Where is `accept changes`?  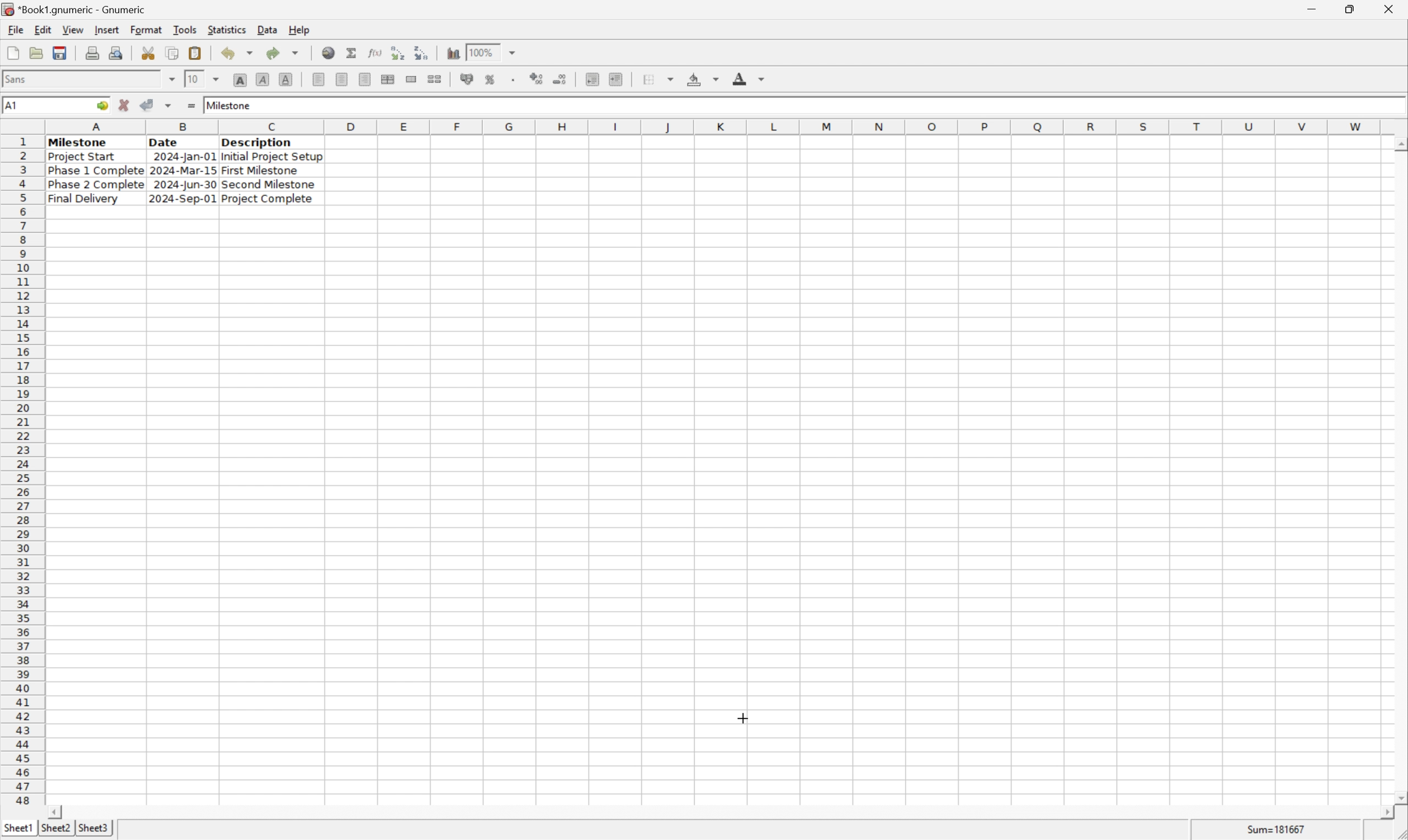 accept changes is located at coordinates (151, 104).